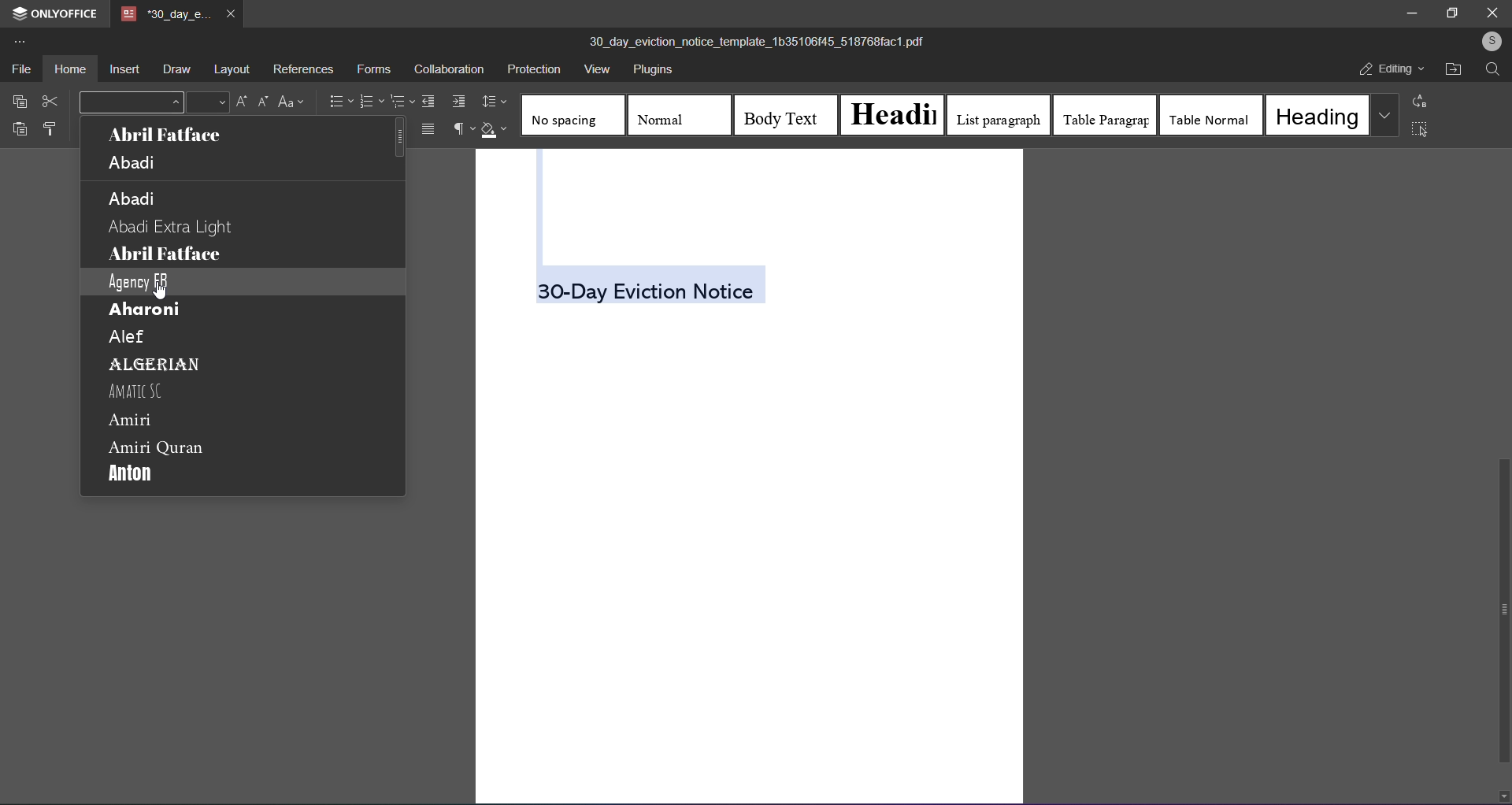  What do you see at coordinates (138, 165) in the screenshot?
I see `abadi` at bounding box center [138, 165].